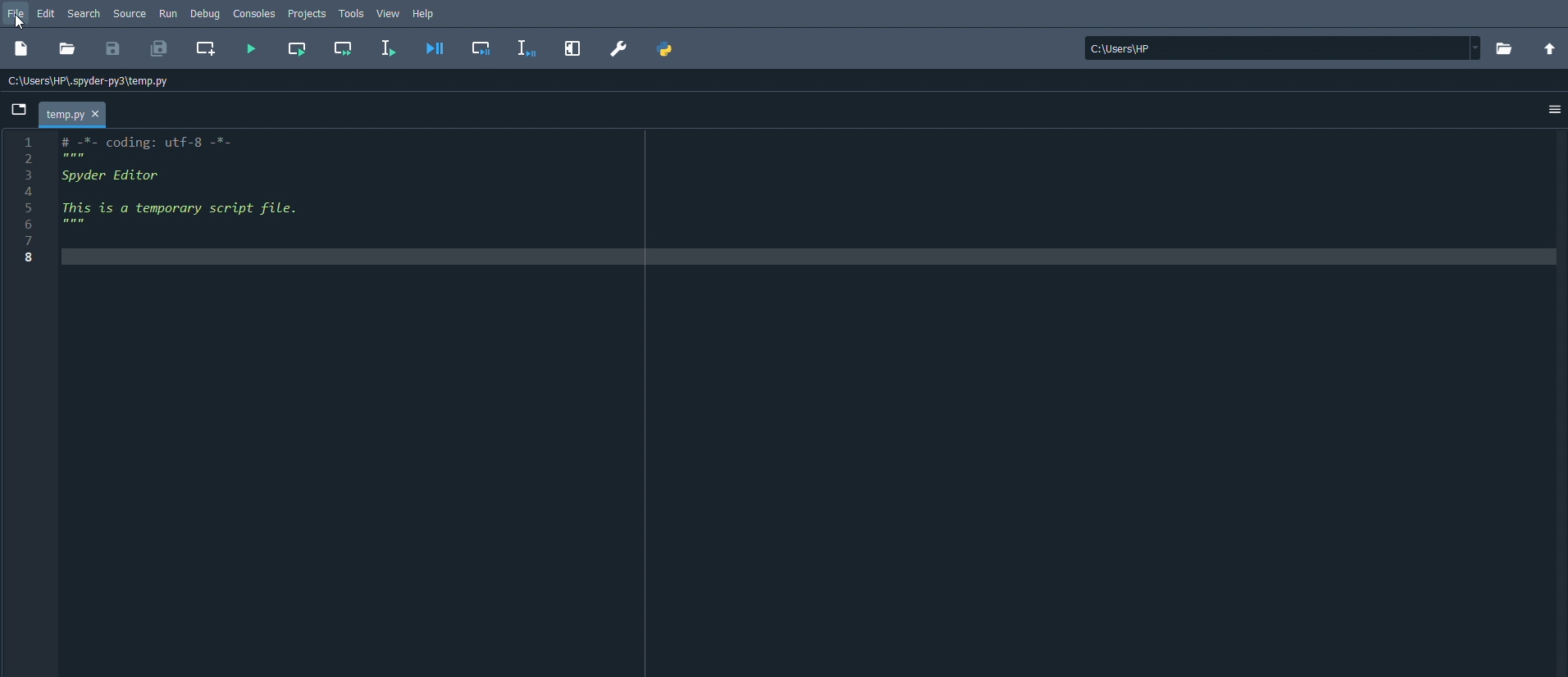  I want to click on Maximize current pane, so click(573, 47).